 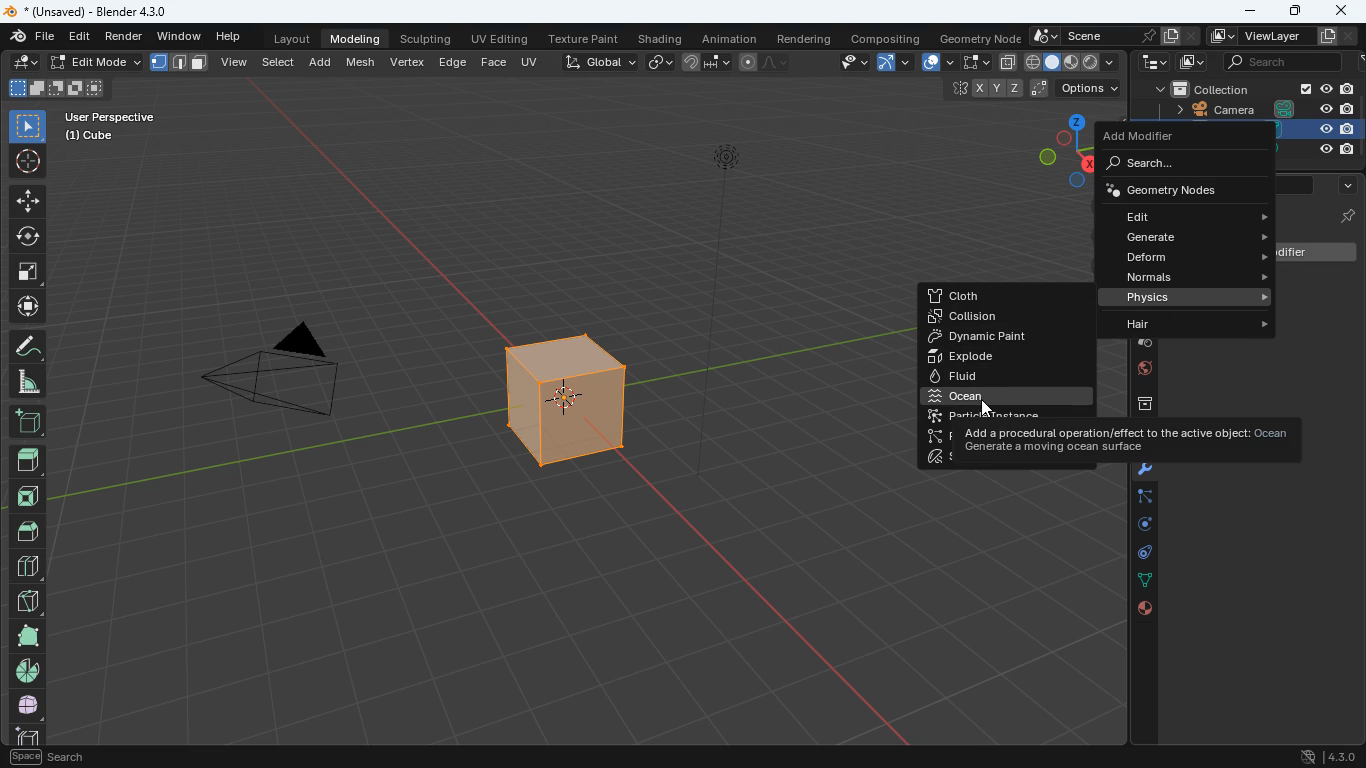 I want to click on dots, so click(x=1141, y=582).